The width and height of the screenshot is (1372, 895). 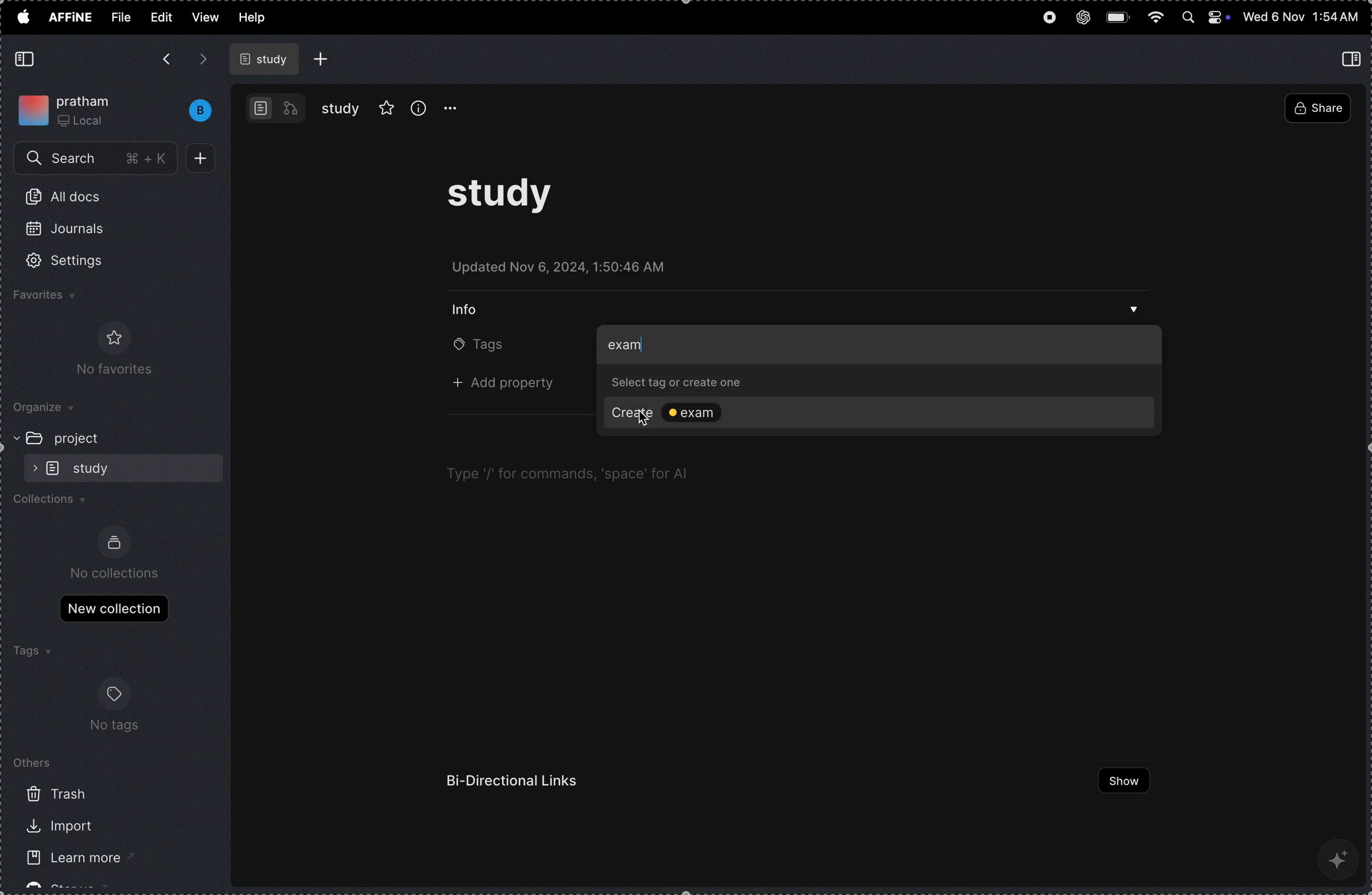 I want to click on drop down, so click(x=1134, y=312).